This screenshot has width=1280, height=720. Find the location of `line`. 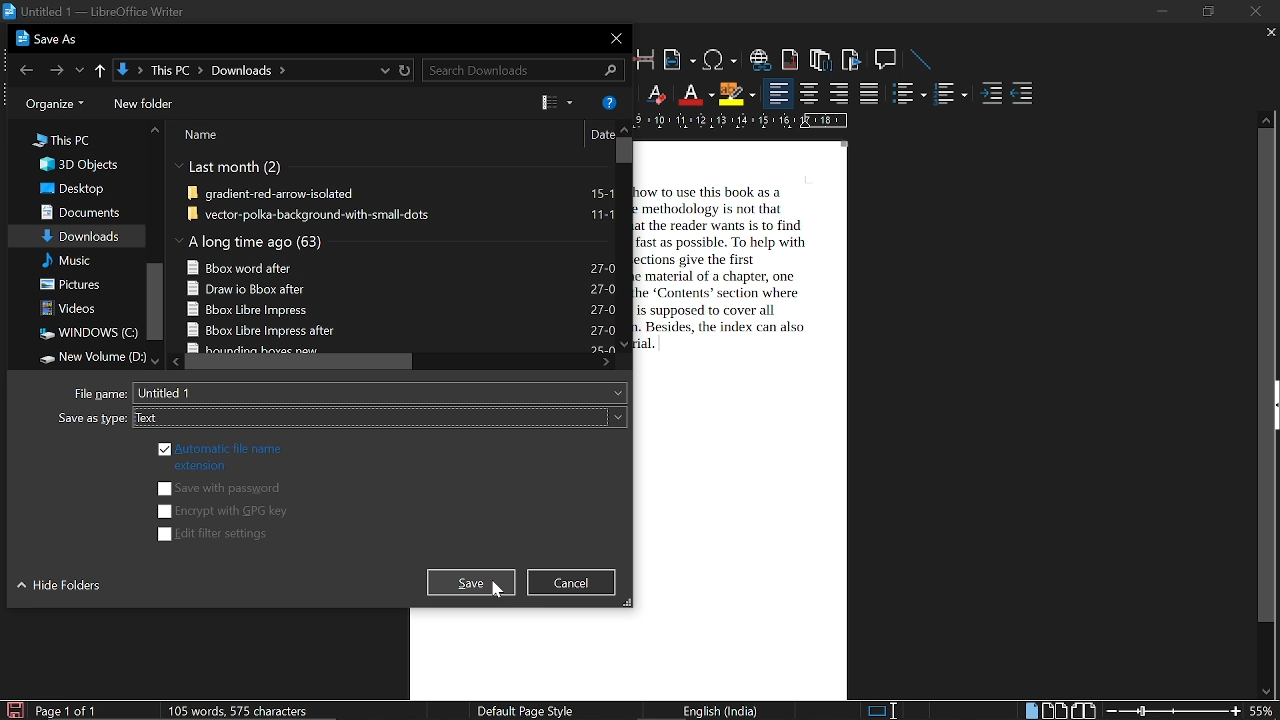

line is located at coordinates (922, 60).